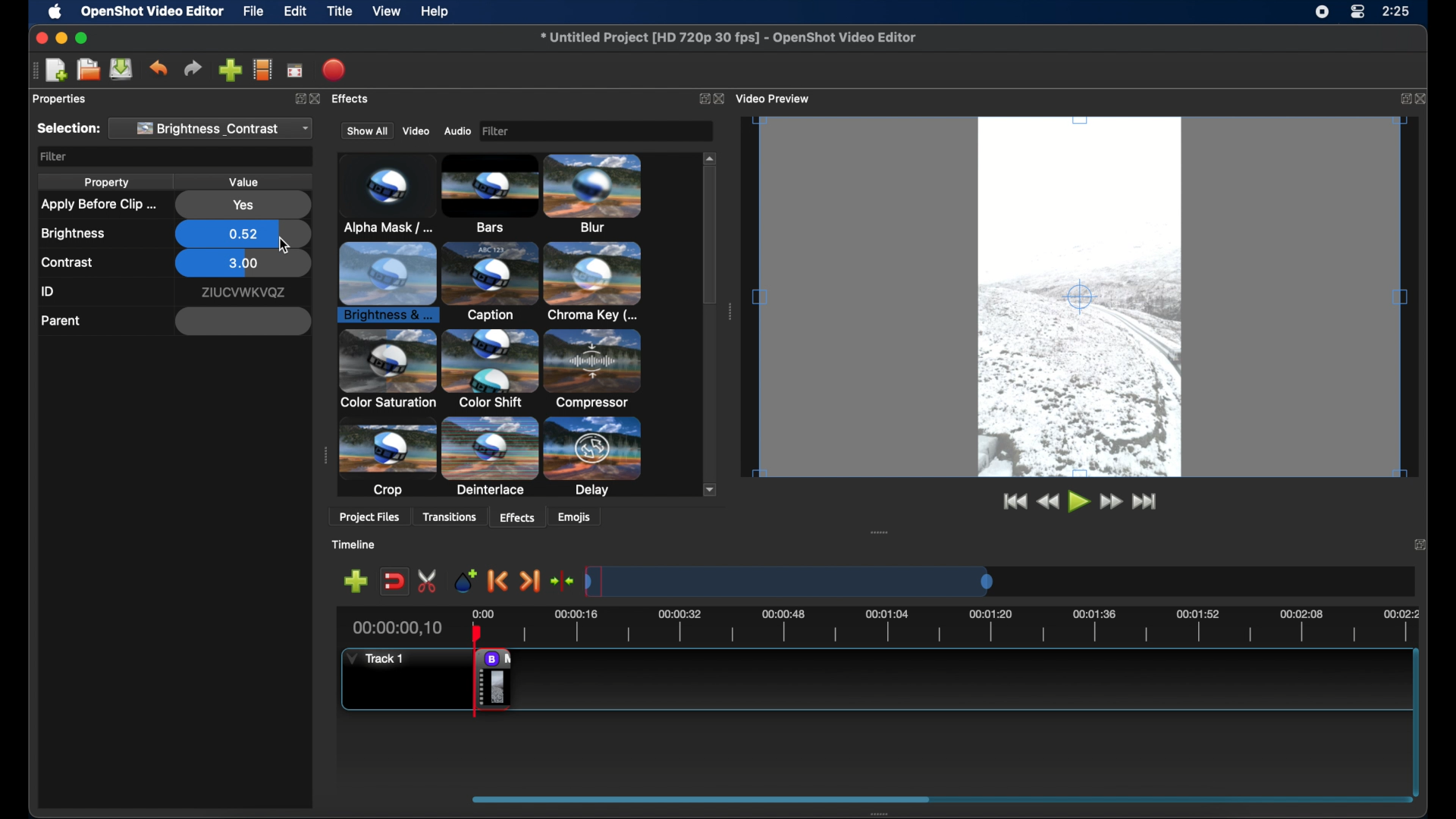 This screenshot has width=1456, height=819. What do you see at coordinates (460, 579) in the screenshot?
I see `add marker` at bounding box center [460, 579].